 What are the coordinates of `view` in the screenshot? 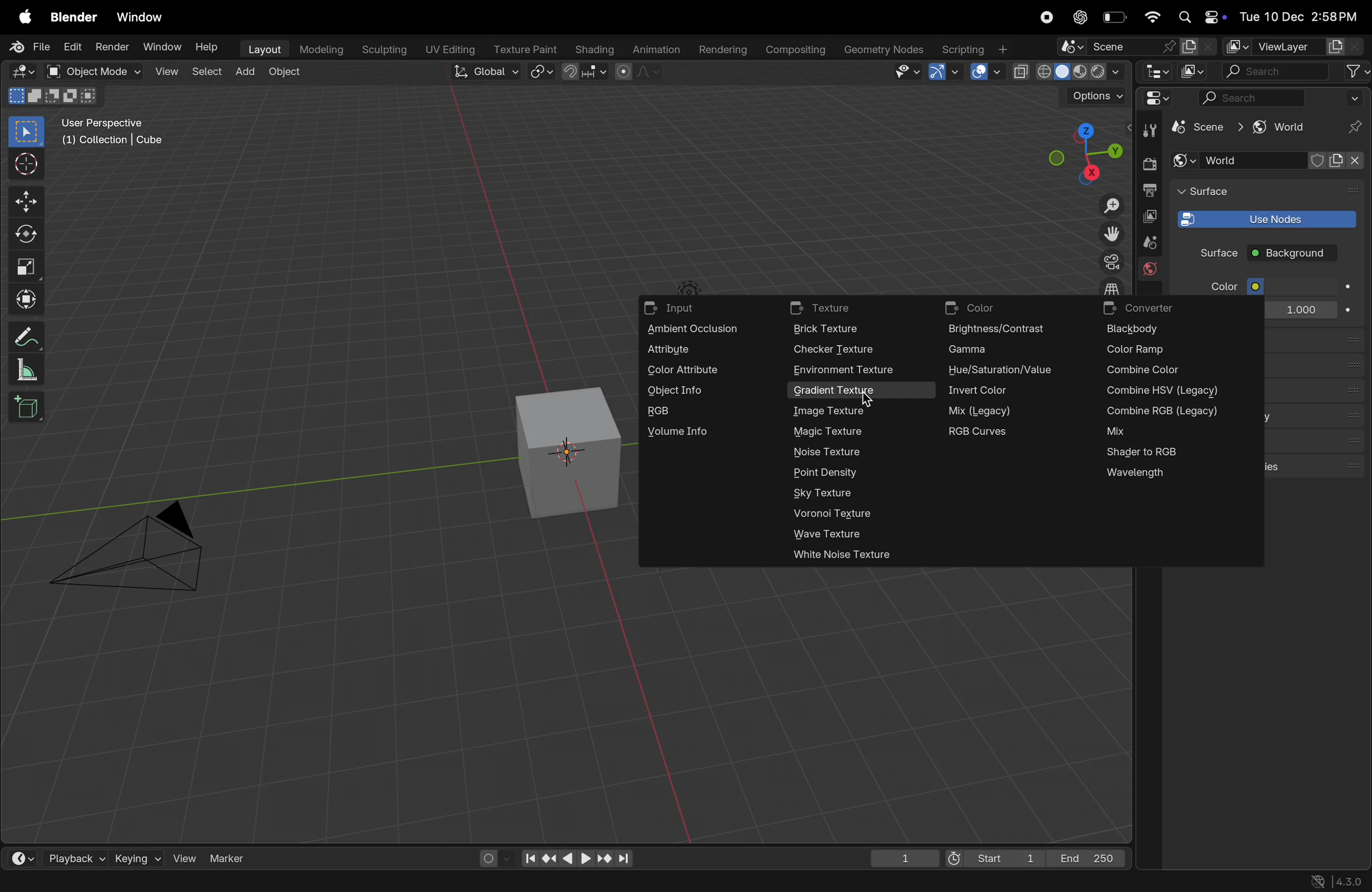 It's located at (165, 71).